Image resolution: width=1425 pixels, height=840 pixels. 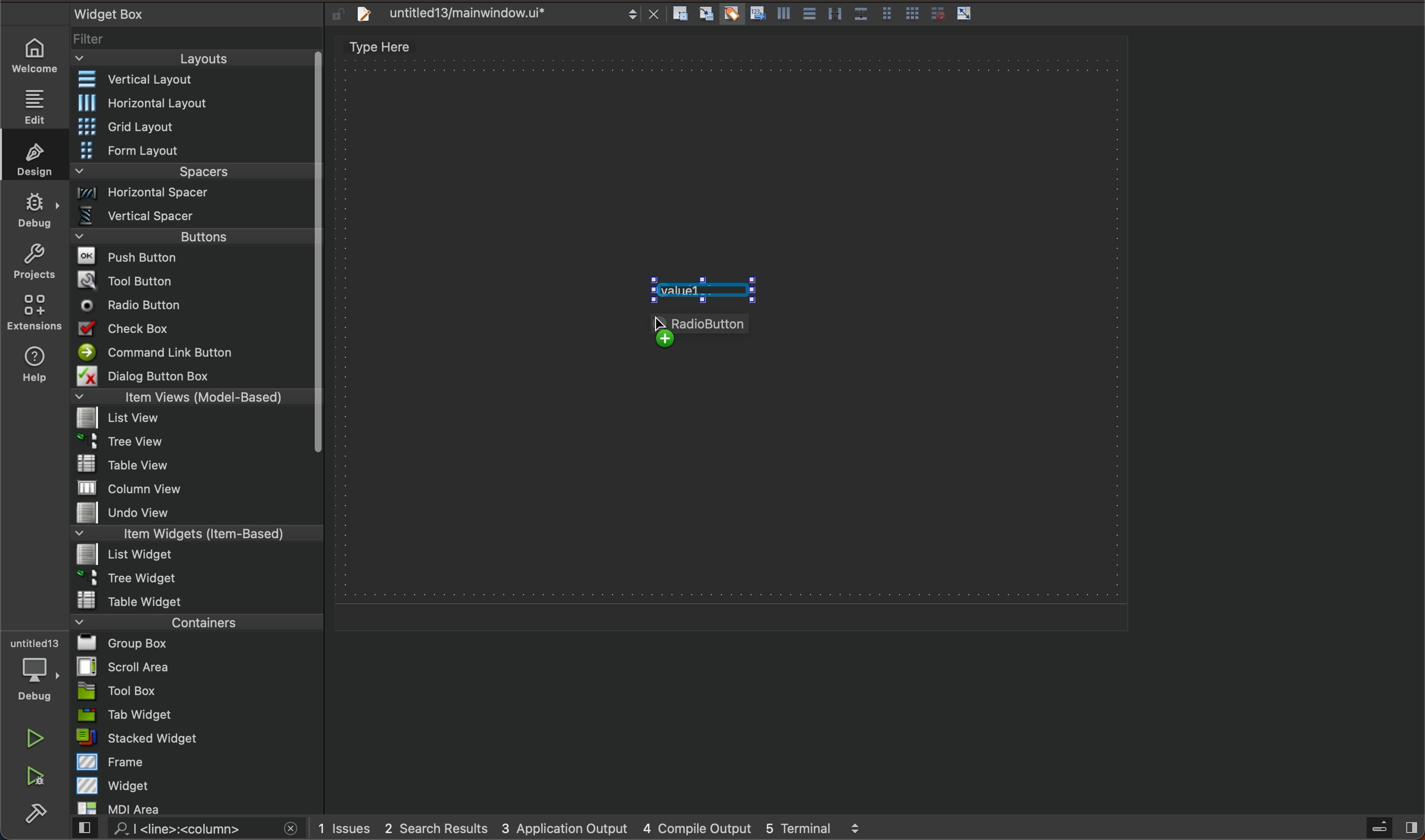 What do you see at coordinates (198, 43) in the screenshot?
I see `filter` at bounding box center [198, 43].